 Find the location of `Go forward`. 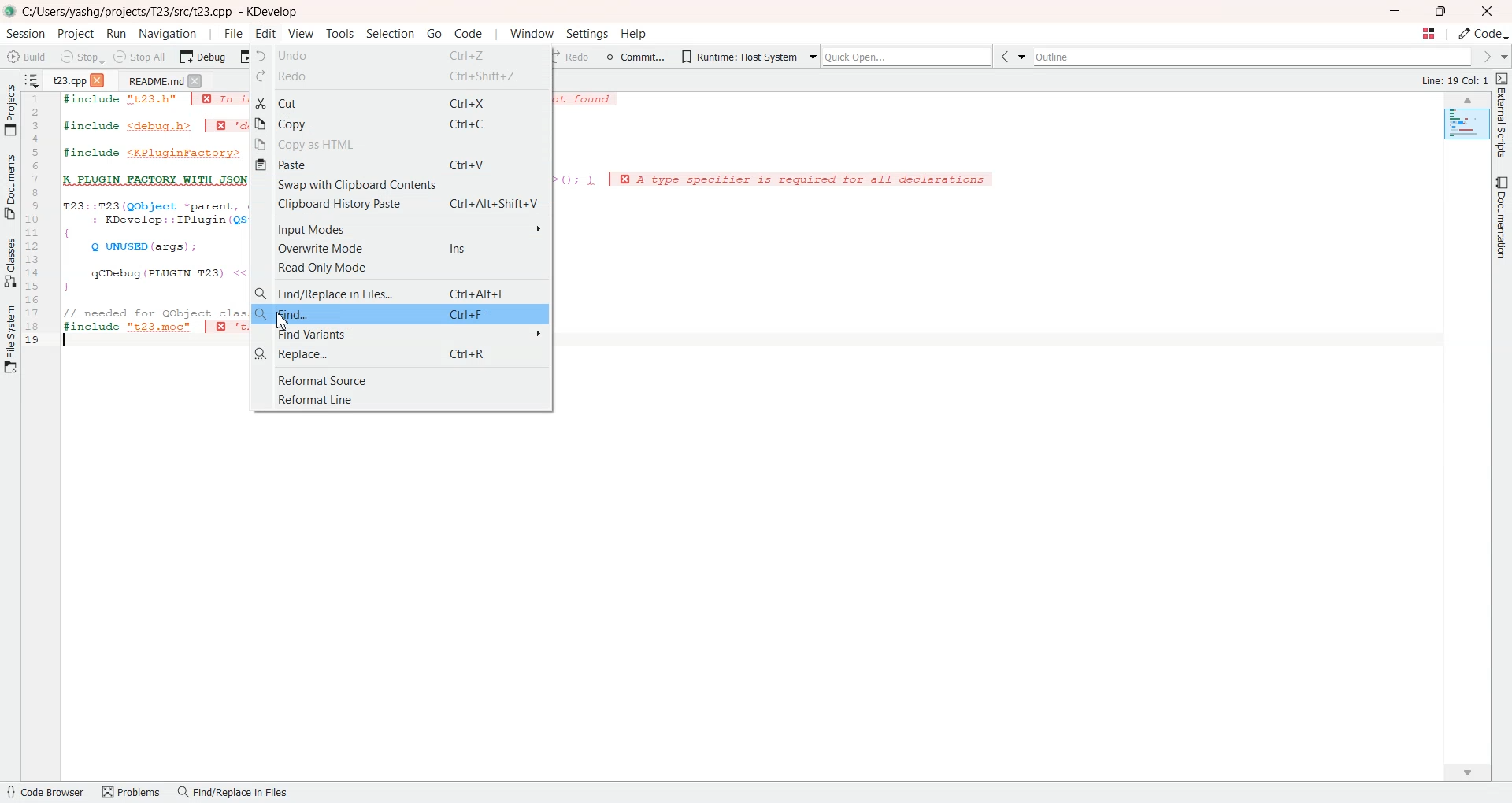

Go forward is located at coordinates (1485, 57).